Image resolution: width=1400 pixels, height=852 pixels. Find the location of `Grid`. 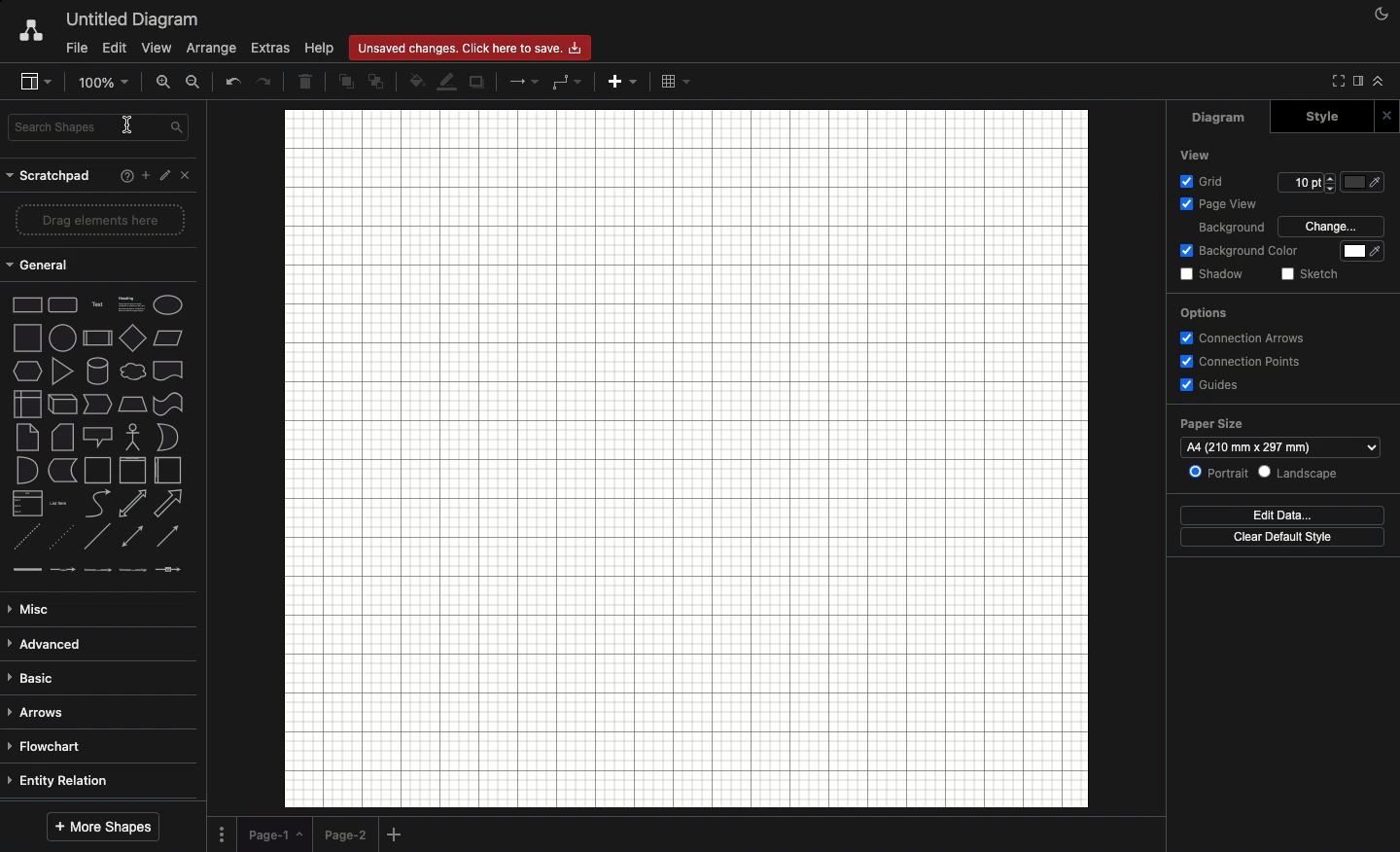

Grid is located at coordinates (1204, 179).